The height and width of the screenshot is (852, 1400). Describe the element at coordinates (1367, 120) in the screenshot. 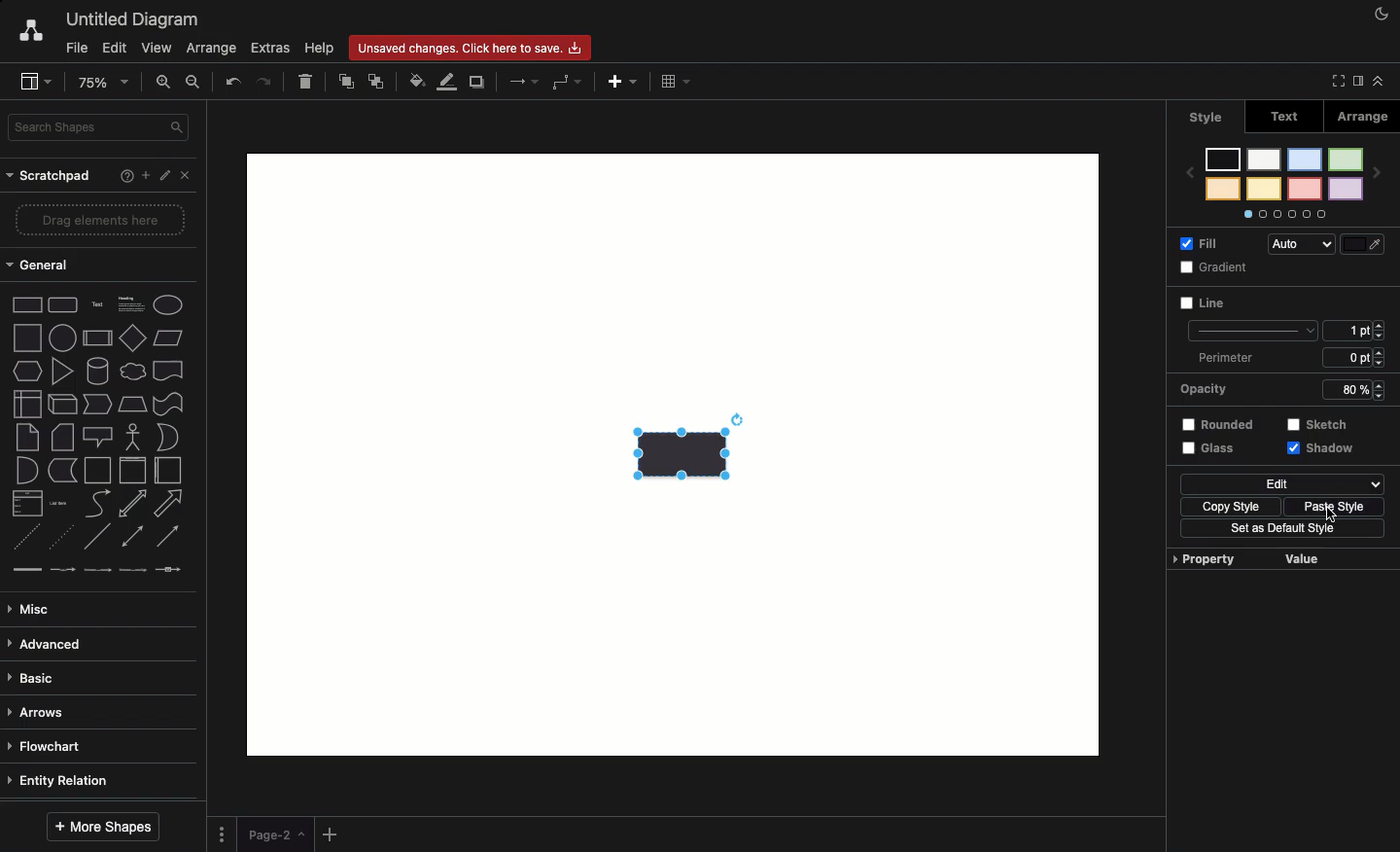

I see `Arrange` at that location.